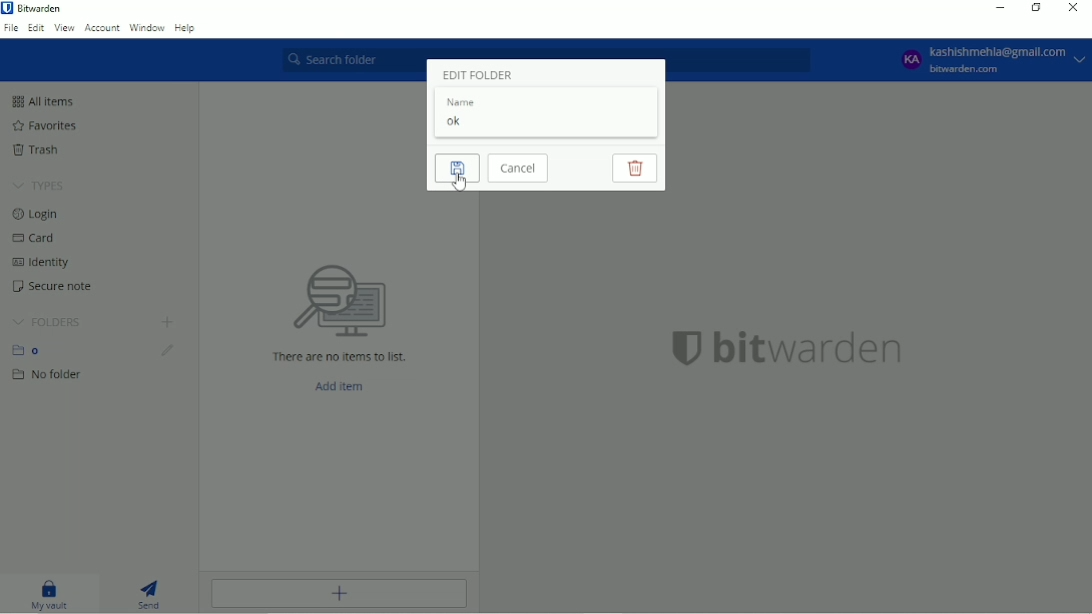 The image size is (1092, 614). Describe the element at coordinates (463, 102) in the screenshot. I see `Name` at that location.